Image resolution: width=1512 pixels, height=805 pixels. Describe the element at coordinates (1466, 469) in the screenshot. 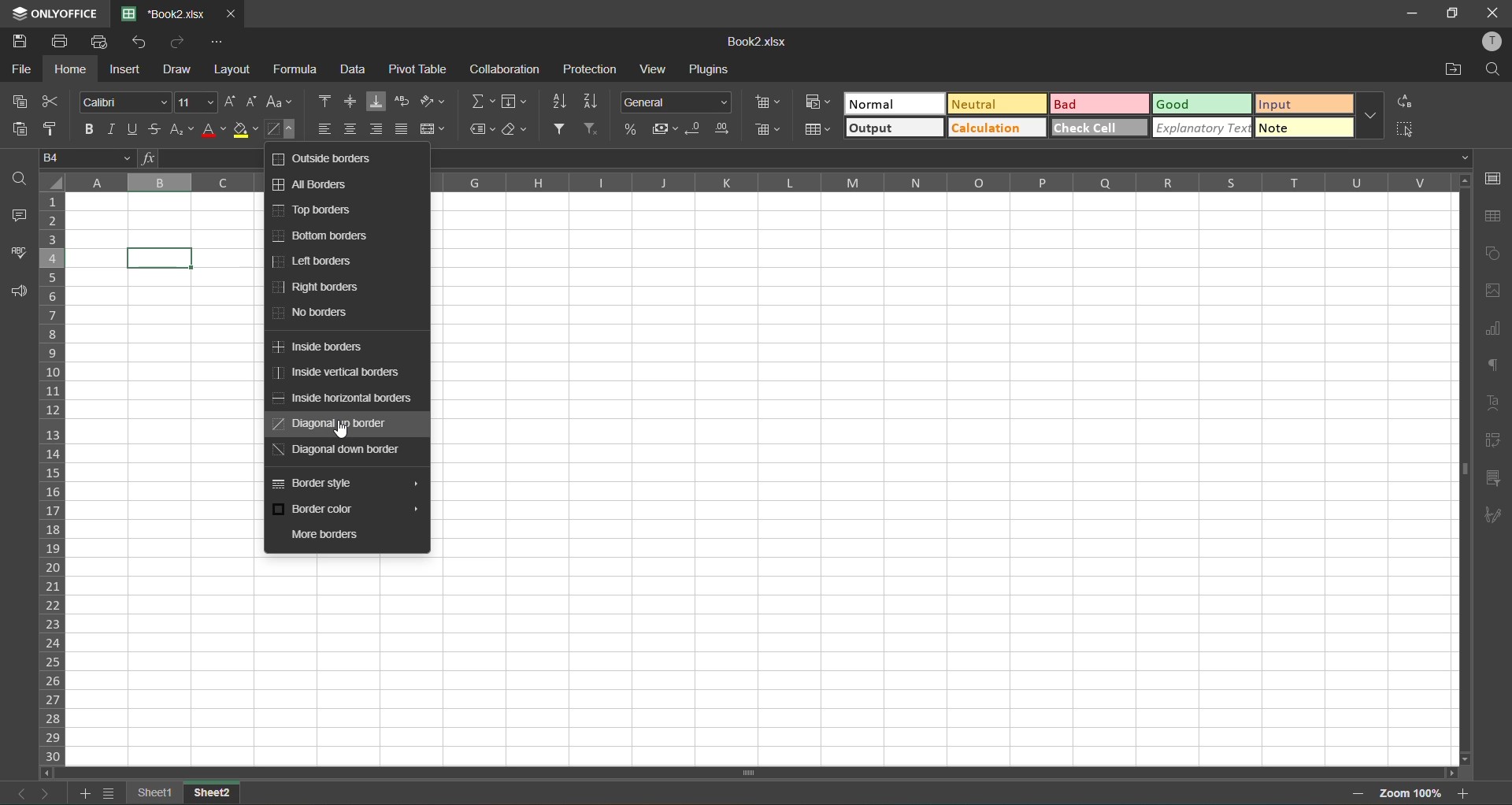

I see `scrollbar` at that location.